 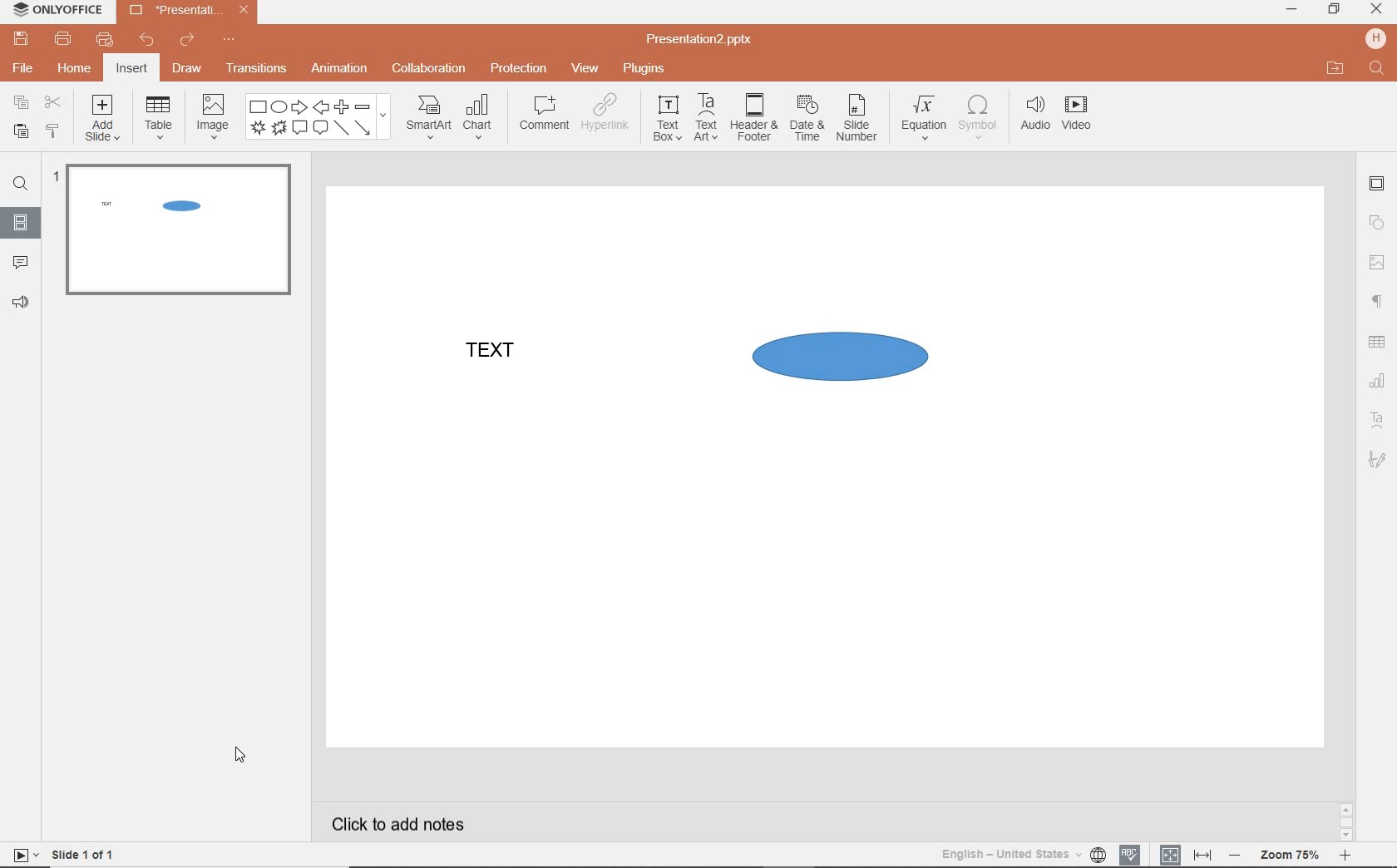 What do you see at coordinates (22, 221) in the screenshot?
I see `SLIDES` at bounding box center [22, 221].